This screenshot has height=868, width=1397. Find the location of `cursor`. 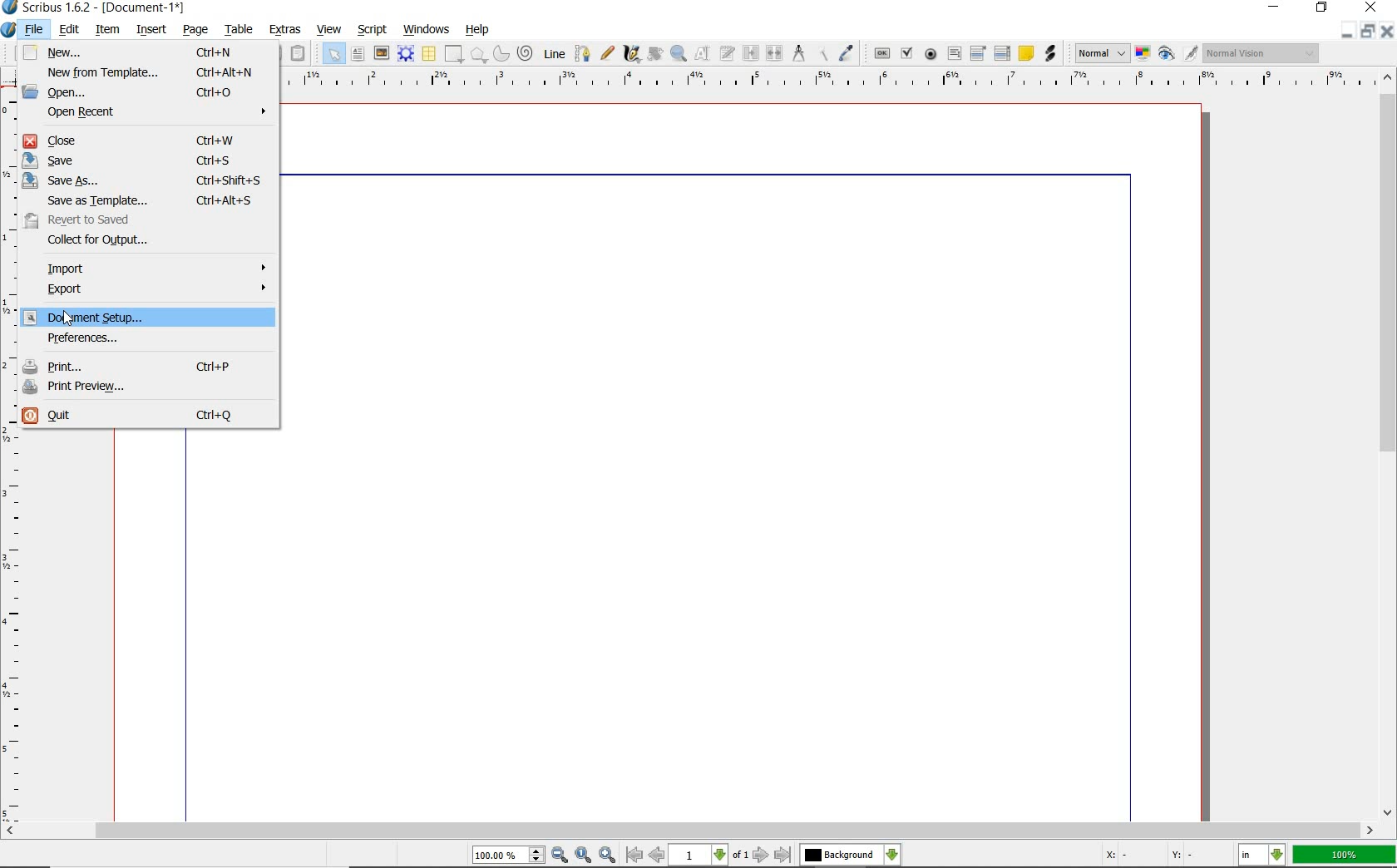

cursor is located at coordinates (73, 320).